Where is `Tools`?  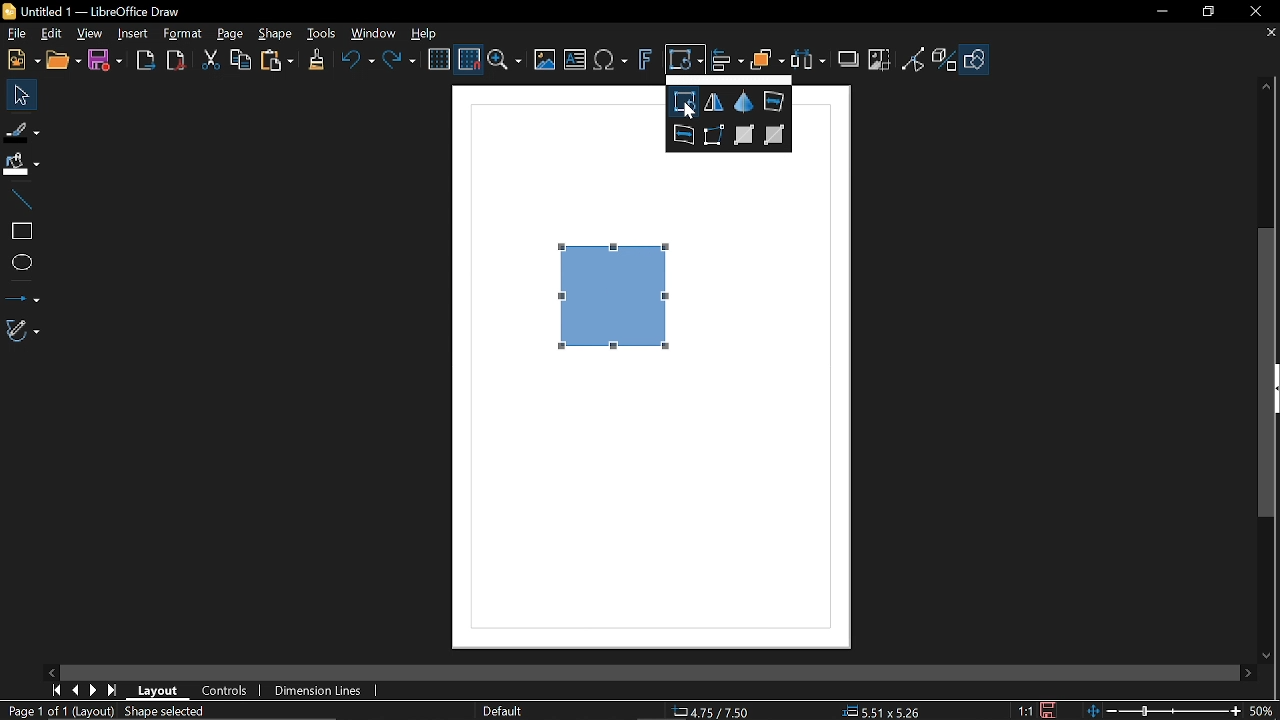
Tools is located at coordinates (321, 33).